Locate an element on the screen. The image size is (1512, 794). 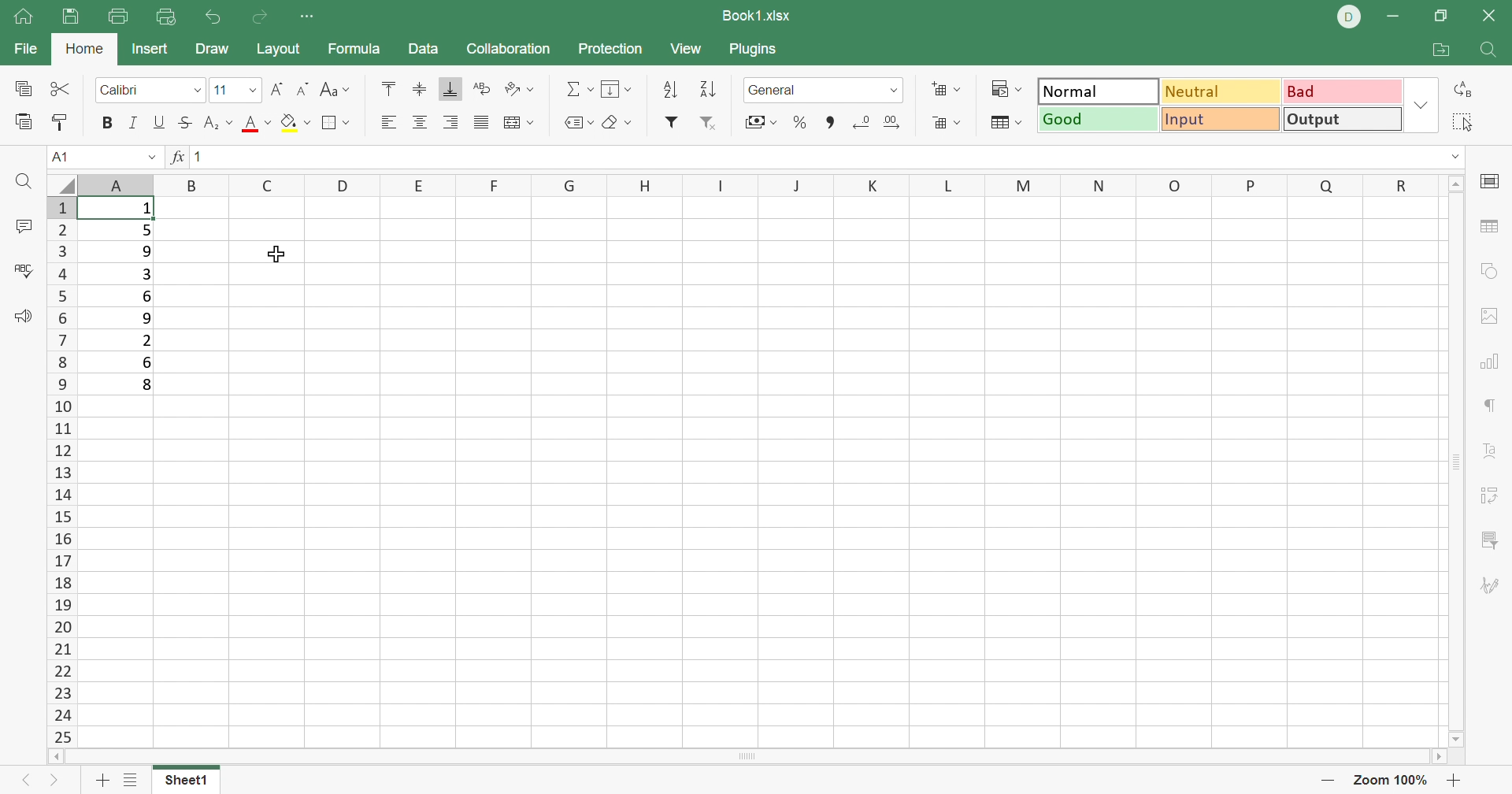
Data is located at coordinates (426, 50).